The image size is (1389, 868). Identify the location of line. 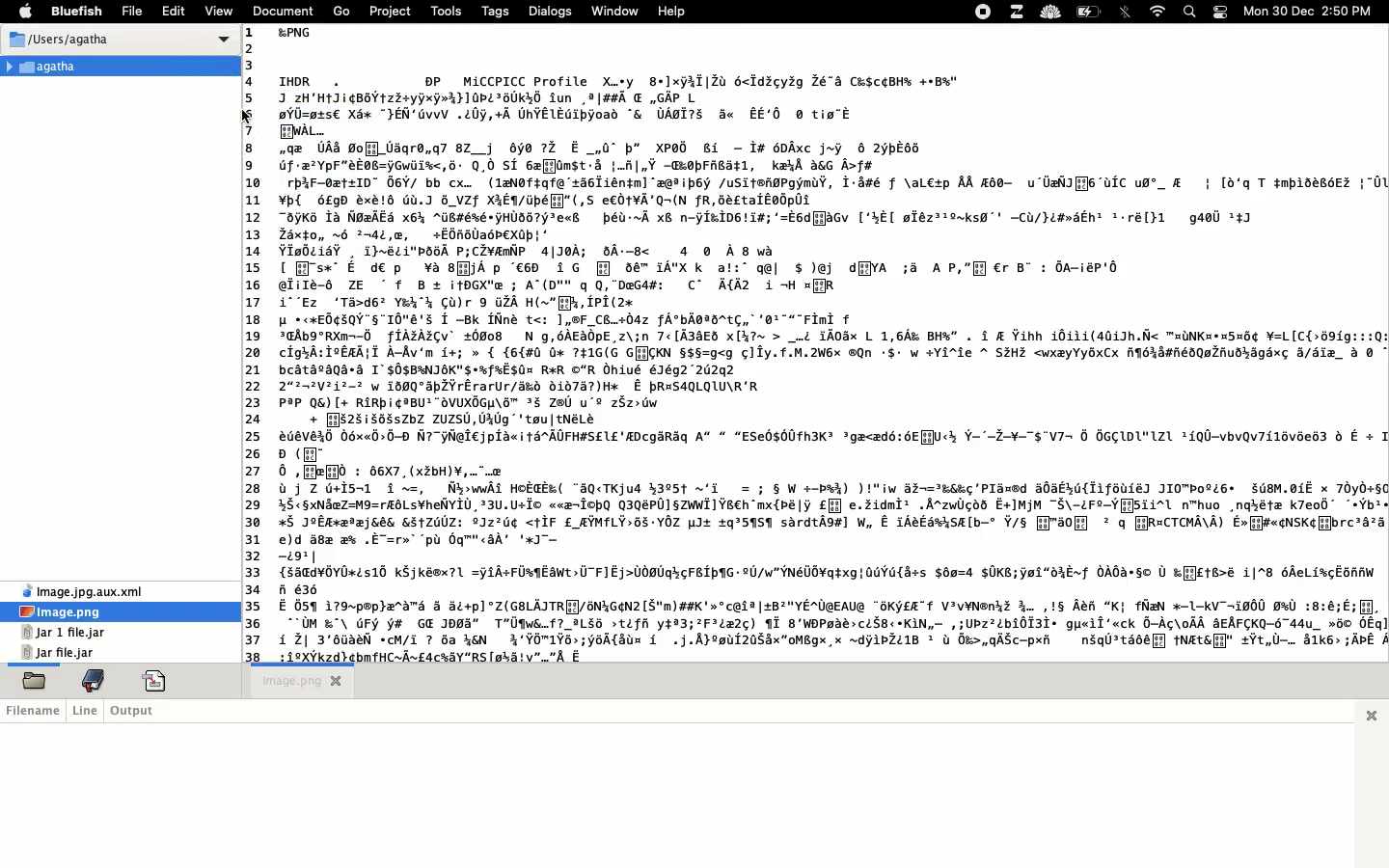
(86, 712).